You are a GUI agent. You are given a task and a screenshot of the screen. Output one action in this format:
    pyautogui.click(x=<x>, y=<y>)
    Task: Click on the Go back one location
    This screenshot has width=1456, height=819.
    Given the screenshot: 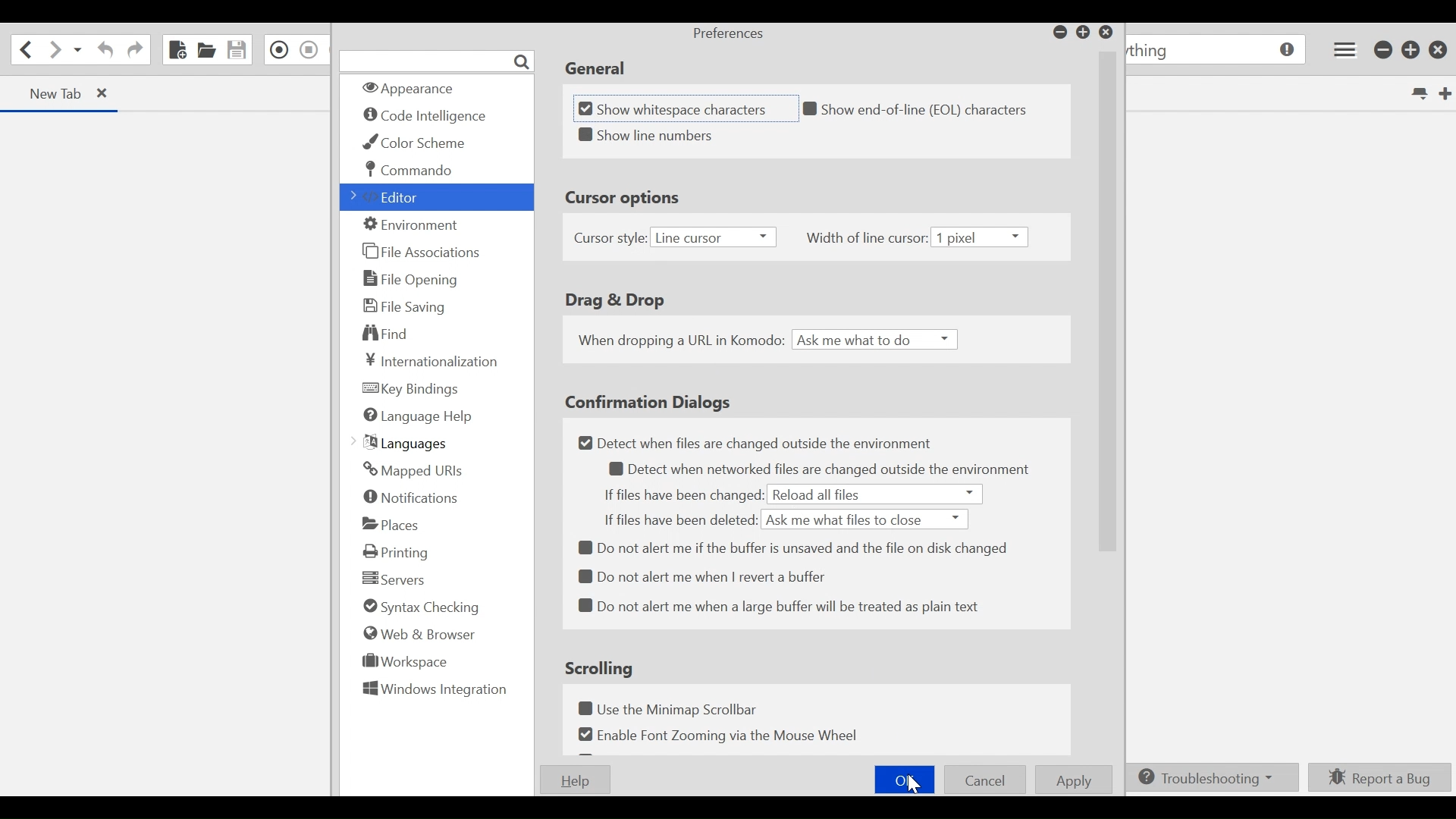 What is the action you would take?
    pyautogui.click(x=25, y=49)
    